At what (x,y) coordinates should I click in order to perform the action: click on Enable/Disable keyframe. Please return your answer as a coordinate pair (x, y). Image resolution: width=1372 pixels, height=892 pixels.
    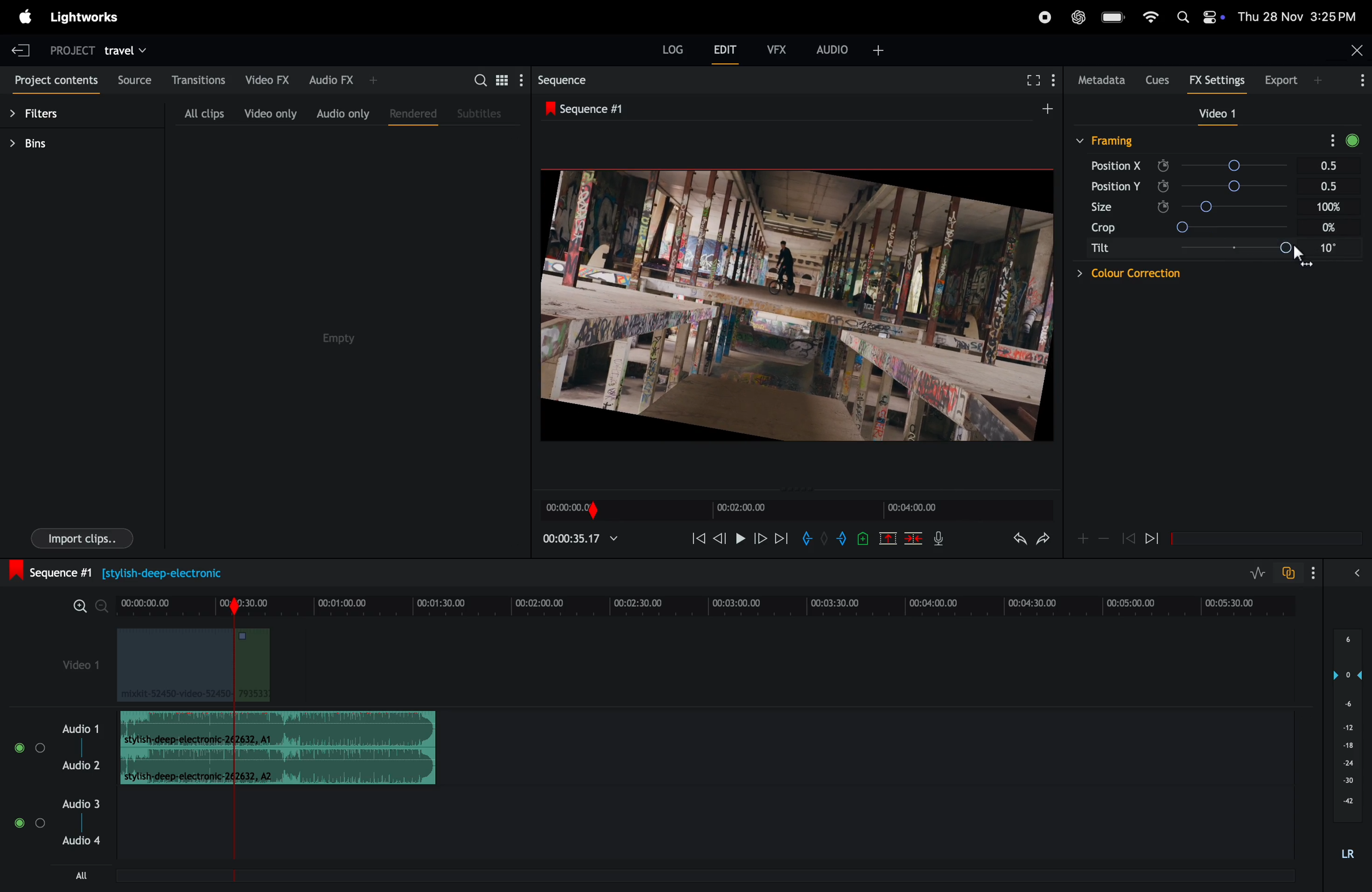
    Looking at the image, I should click on (1163, 166).